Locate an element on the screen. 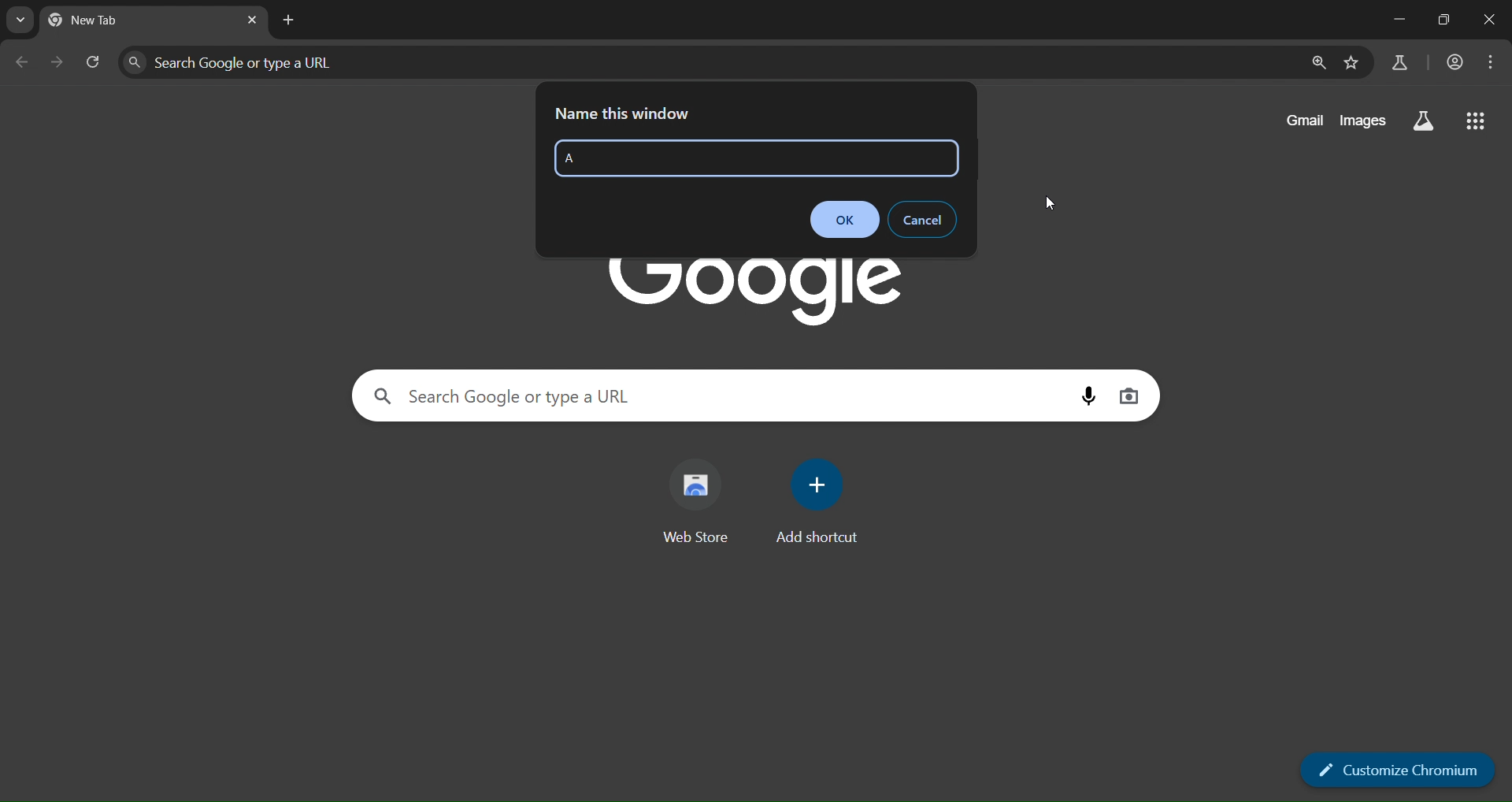  search labs is located at coordinates (1399, 62).